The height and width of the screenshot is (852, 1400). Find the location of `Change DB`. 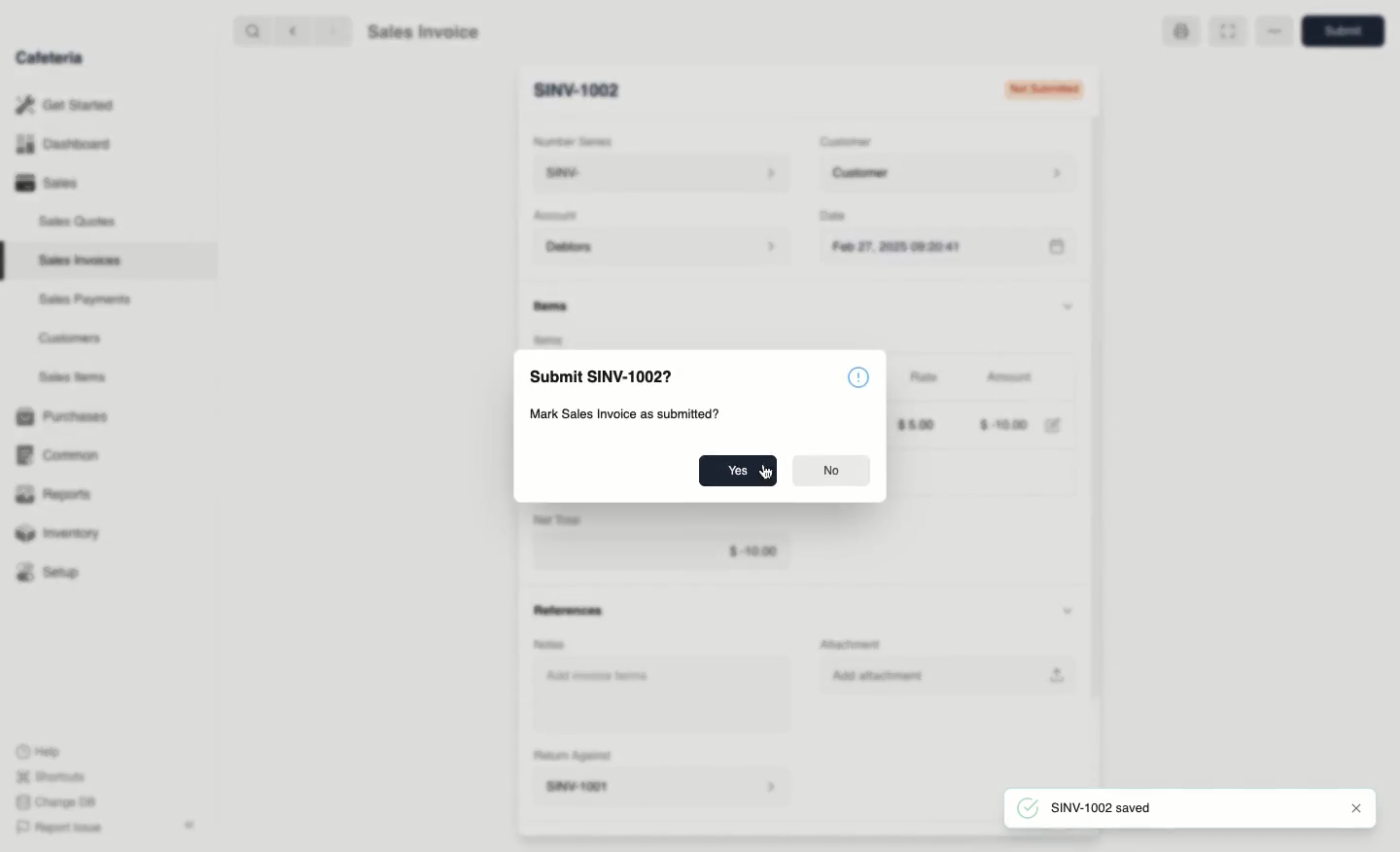

Change DB is located at coordinates (59, 801).